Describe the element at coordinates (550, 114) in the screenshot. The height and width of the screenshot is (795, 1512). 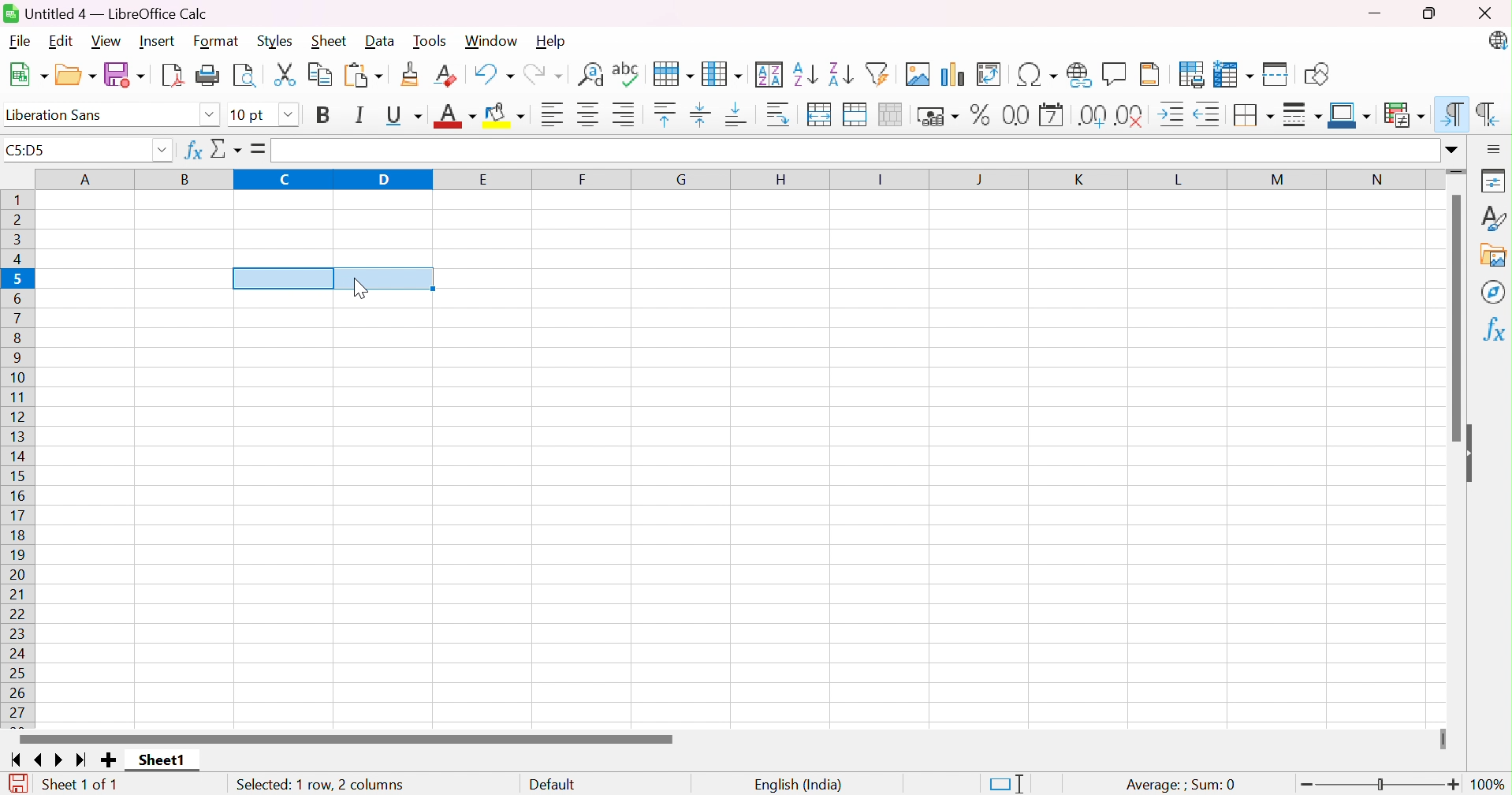
I see `Align Left` at that location.